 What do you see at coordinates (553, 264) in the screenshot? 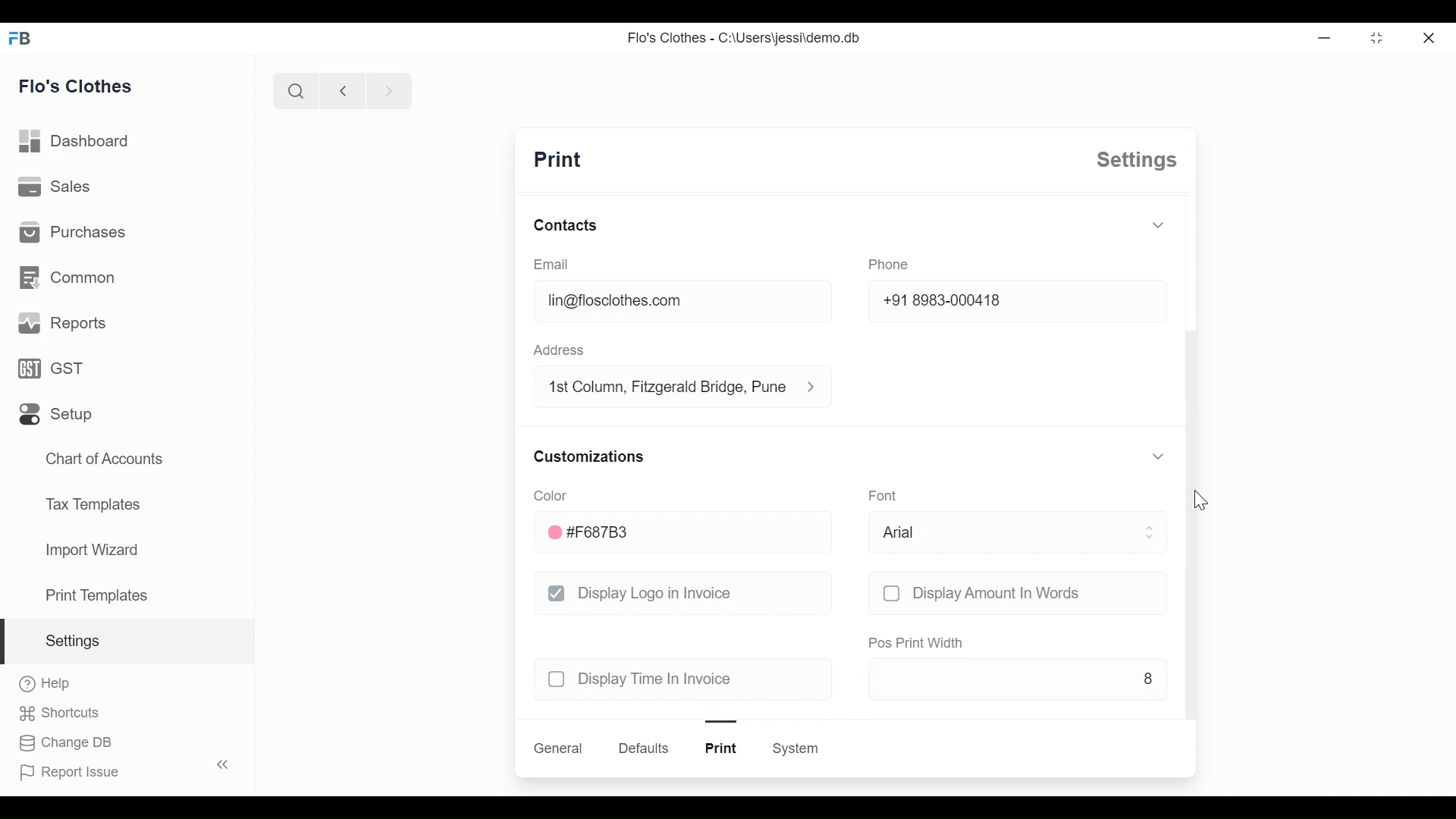
I see `email` at bounding box center [553, 264].